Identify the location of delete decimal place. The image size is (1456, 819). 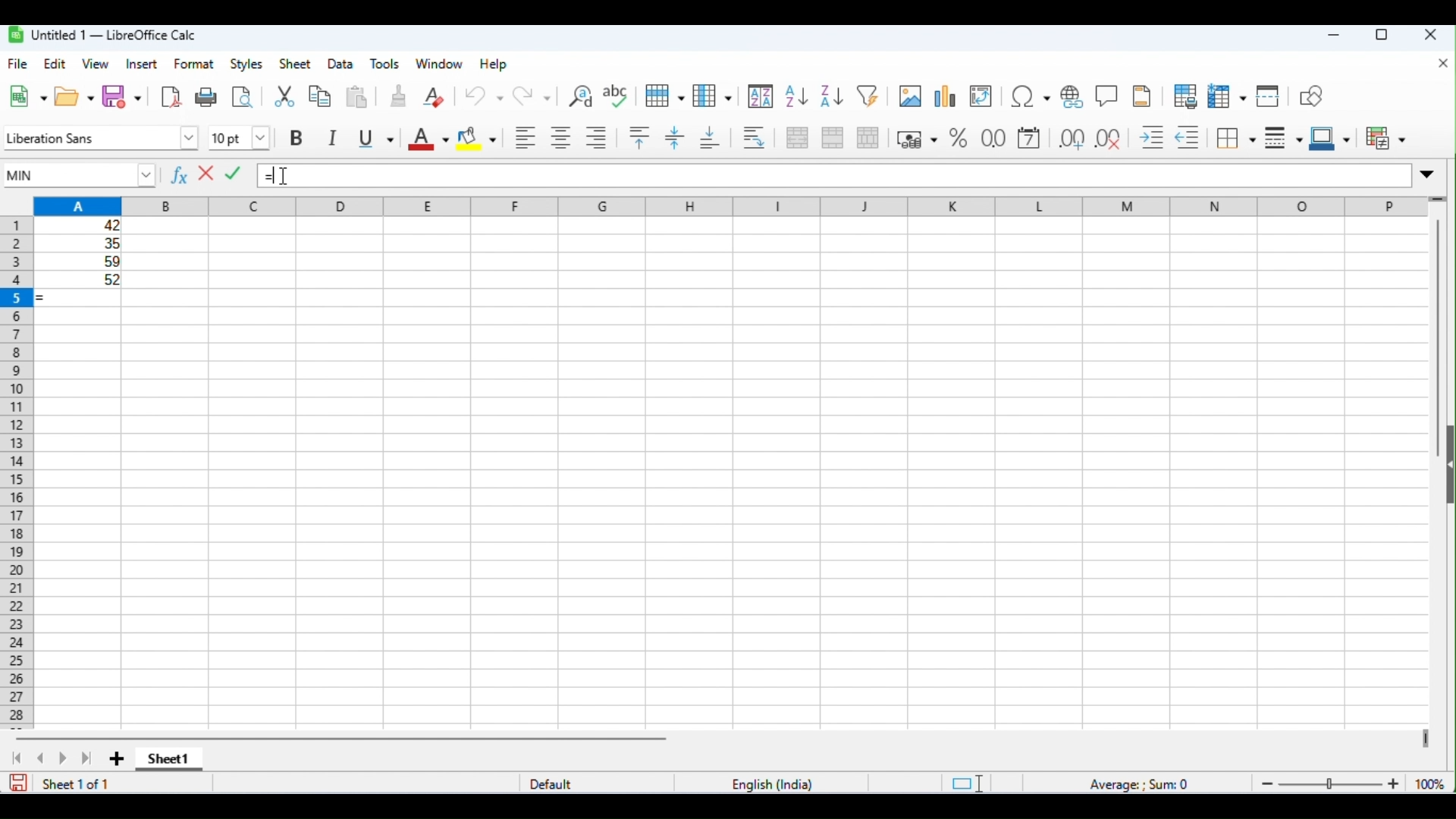
(1109, 137).